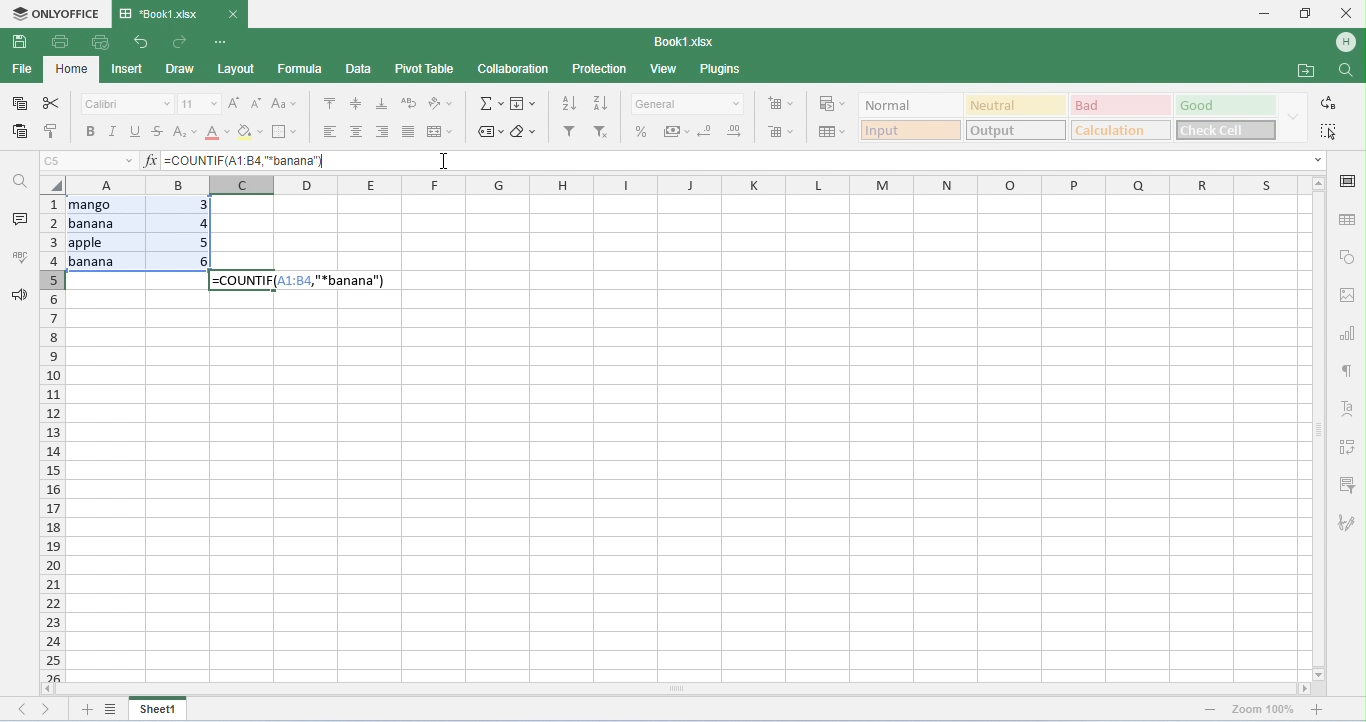 This screenshot has width=1366, height=722. What do you see at coordinates (24, 707) in the screenshot?
I see `previous sheet` at bounding box center [24, 707].